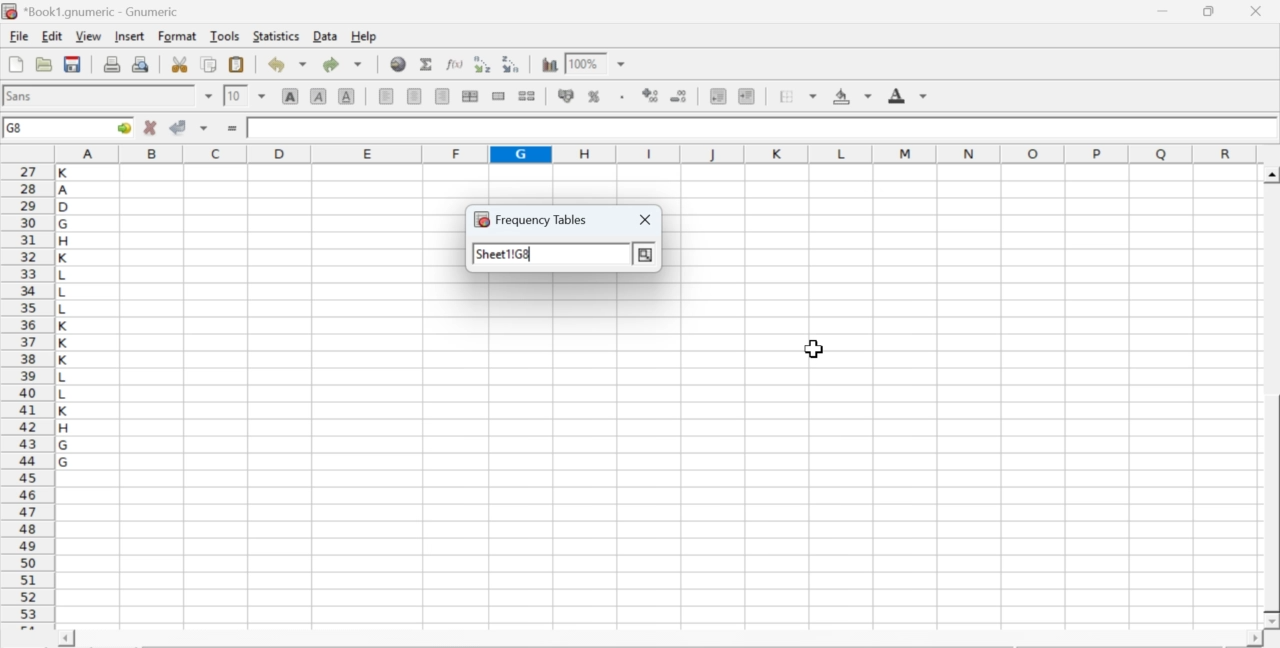  Describe the element at coordinates (234, 129) in the screenshot. I see `enter formula` at that location.